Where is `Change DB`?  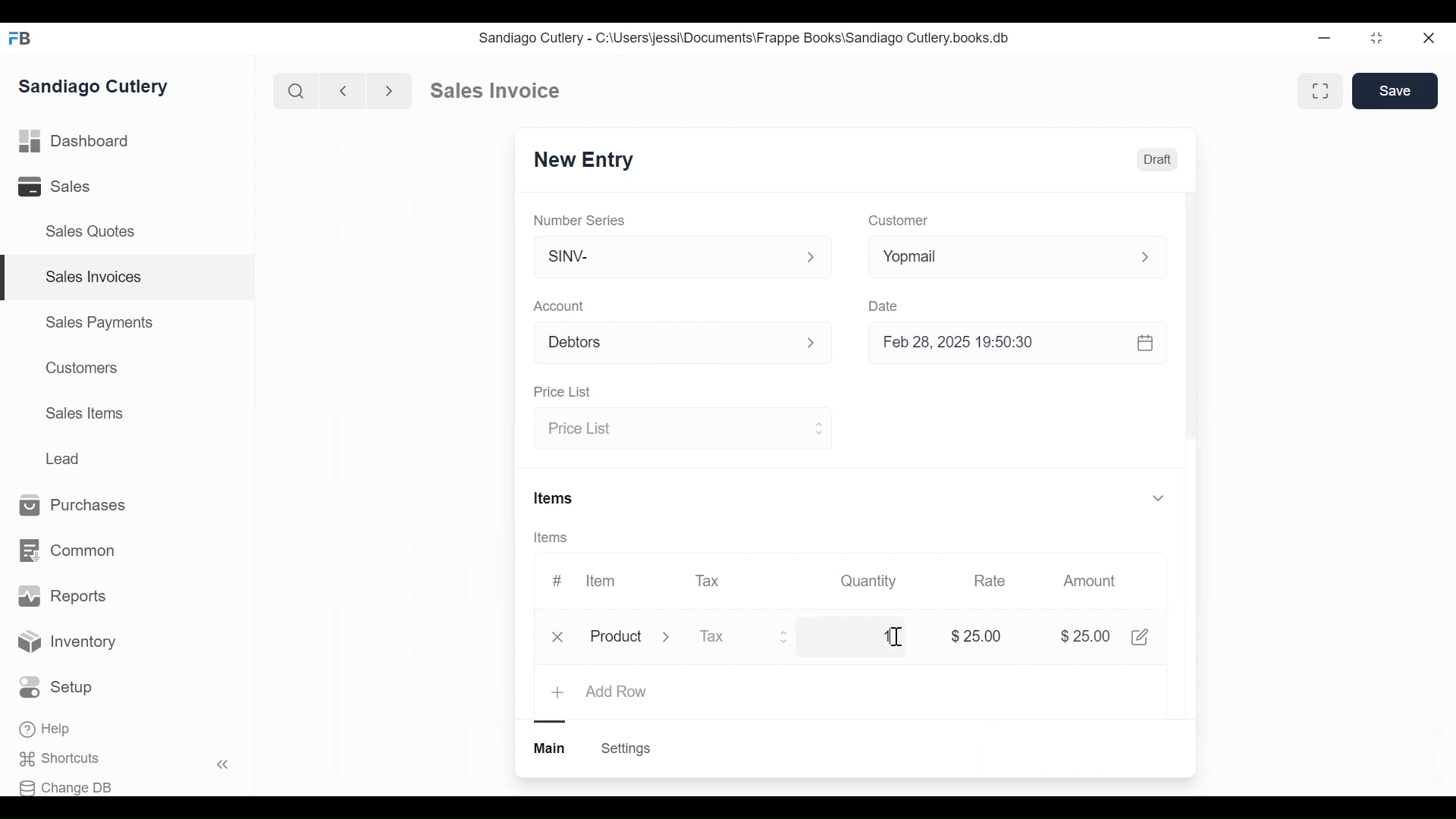 Change DB is located at coordinates (66, 788).